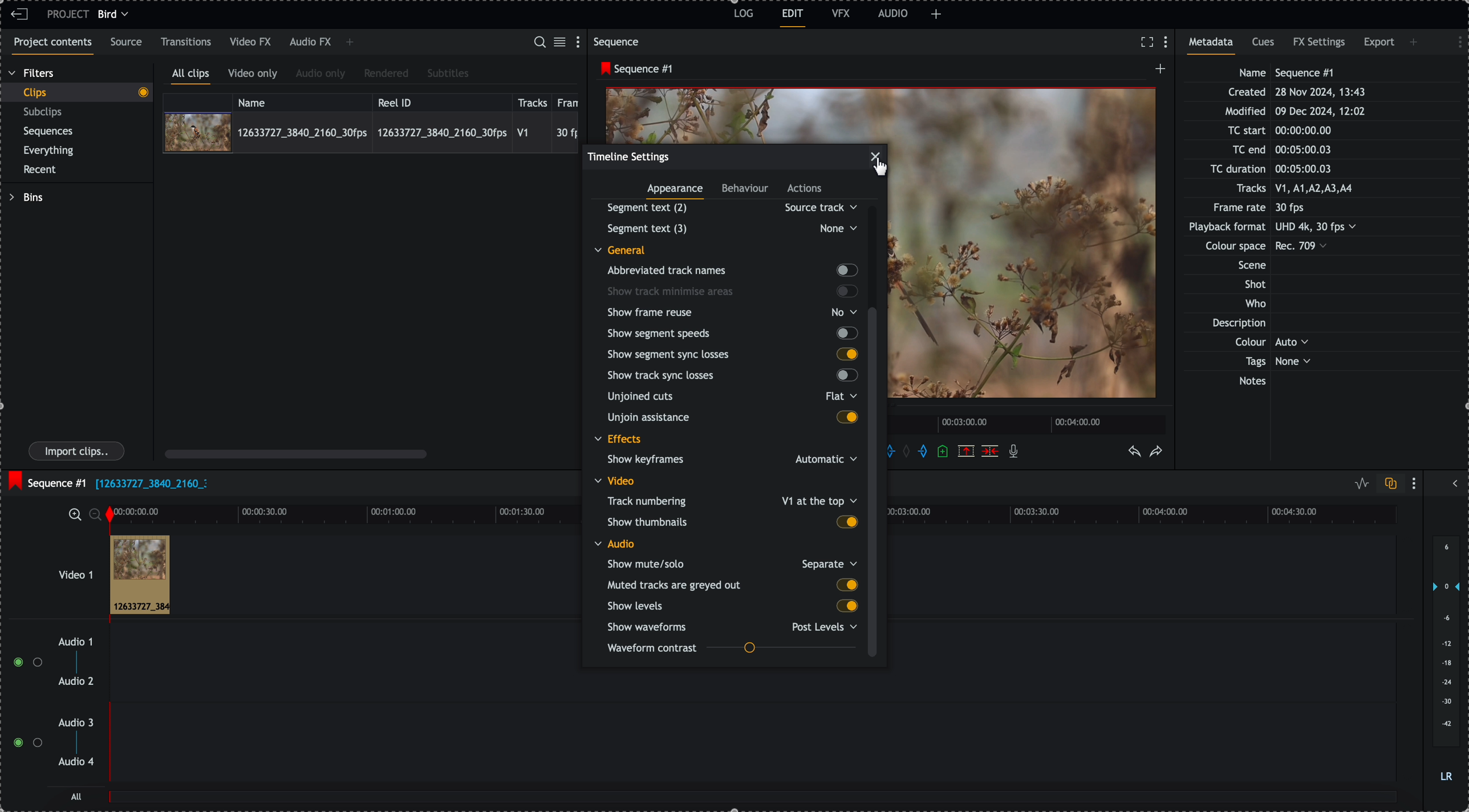 The height and width of the screenshot is (812, 1469). Describe the element at coordinates (251, 42) in the screenshot. I see `video FX` at that location.